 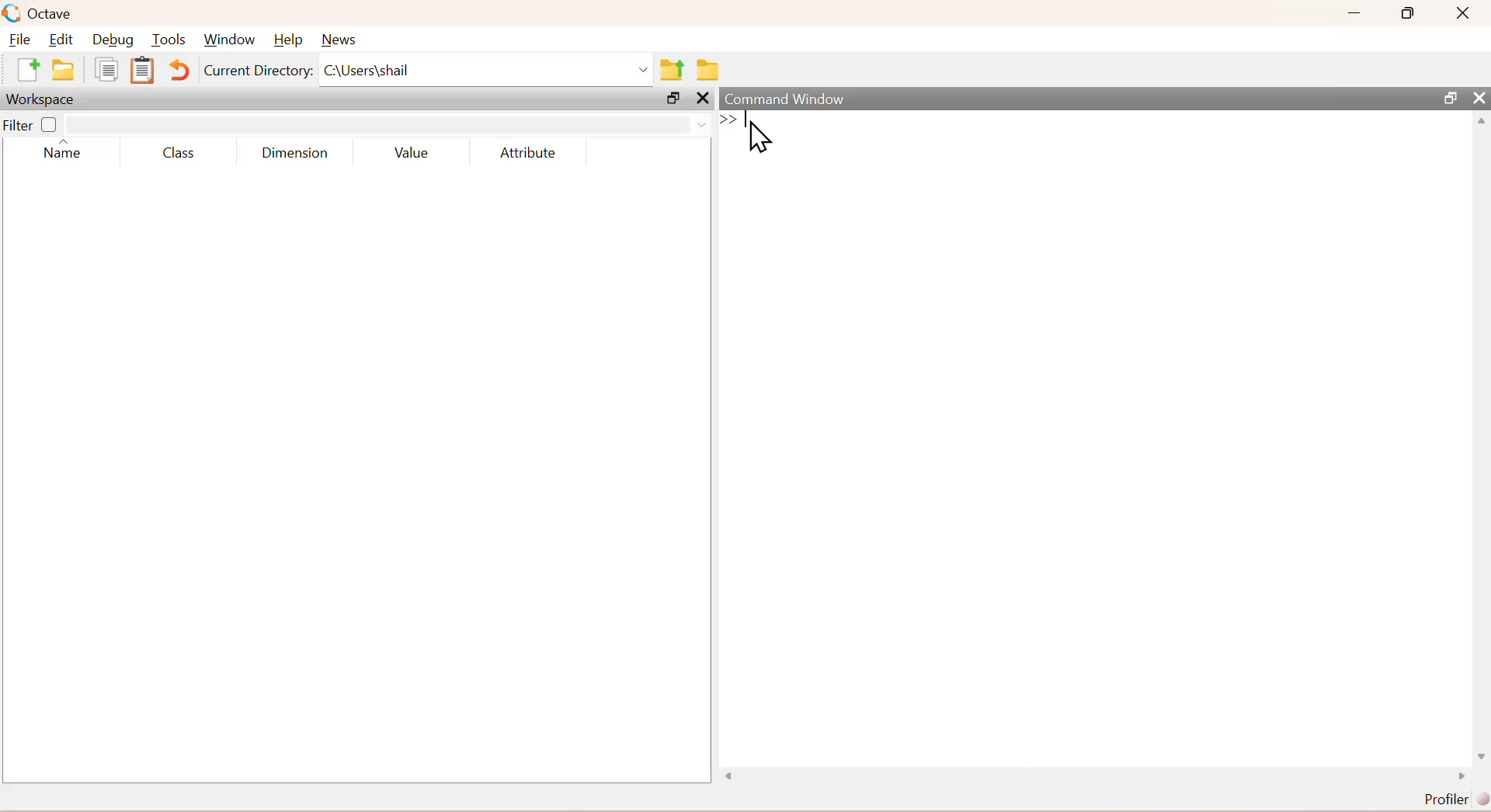 What do you see at coordinates (26, 73) in the screenshot?
I see `New script` at bounding box center [26, 73].